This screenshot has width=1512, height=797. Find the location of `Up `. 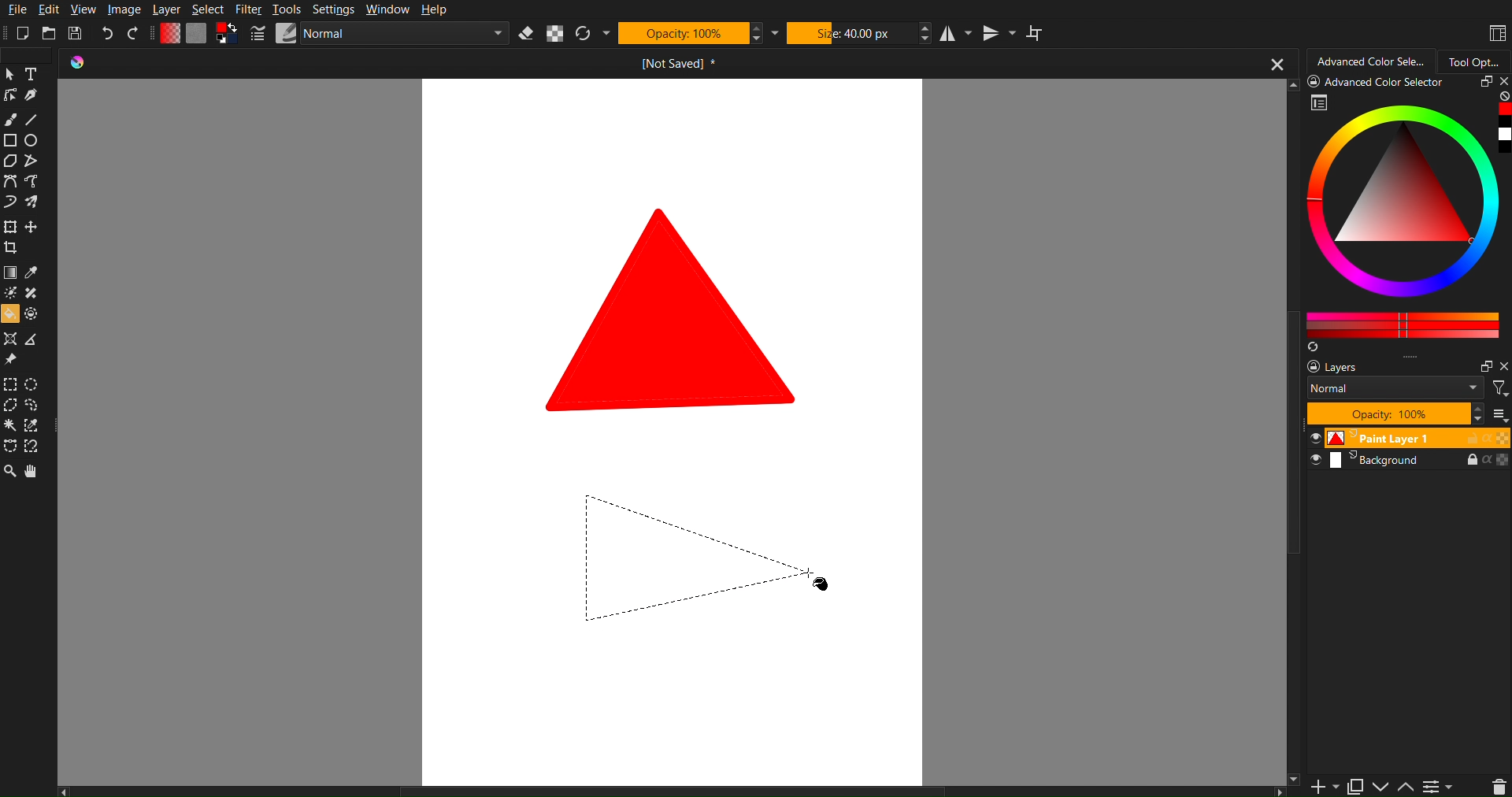

Up  is located at coordinates (1406, 788).